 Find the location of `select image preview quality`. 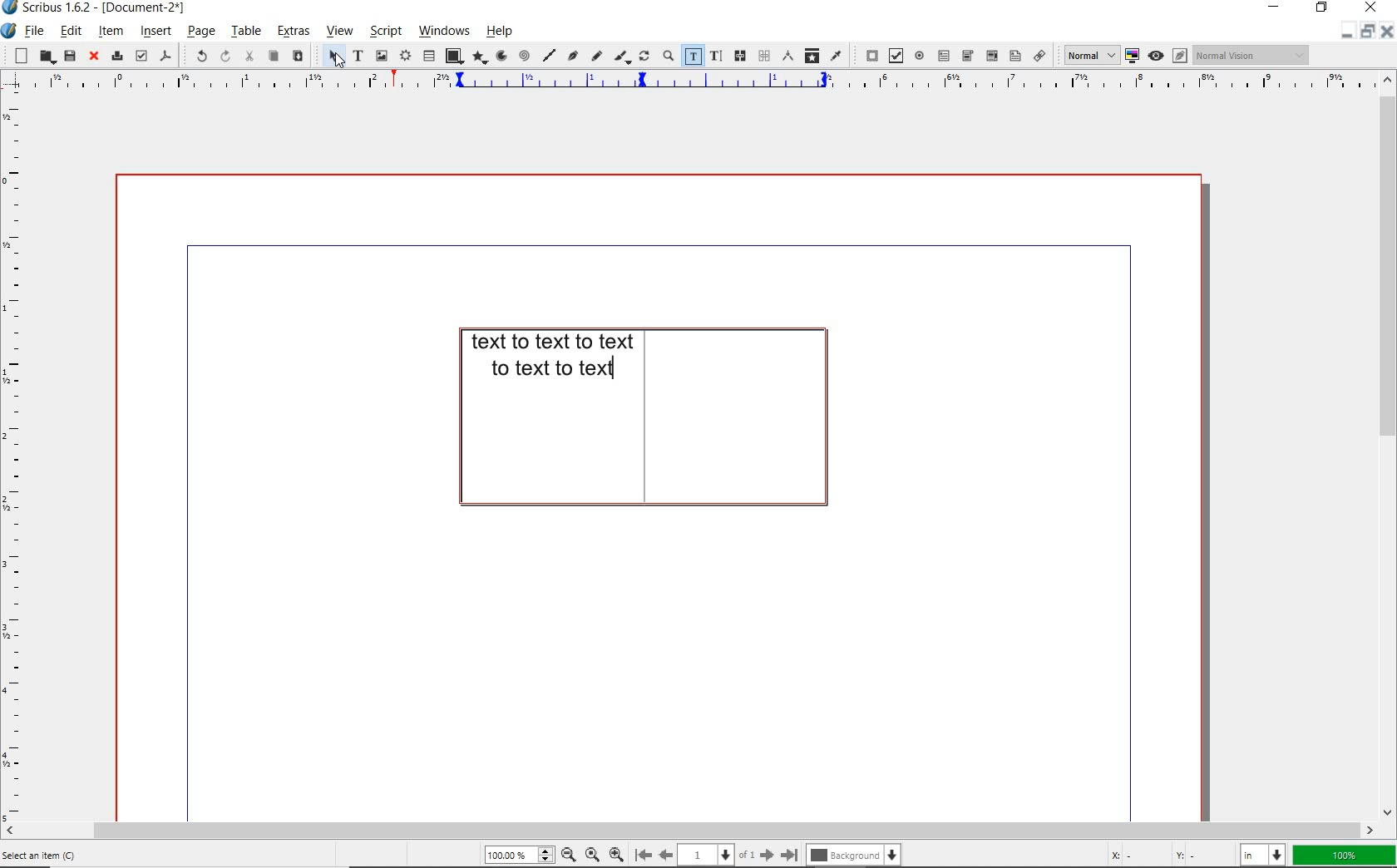

select image preview quality is located at coordinates (1086, 54).